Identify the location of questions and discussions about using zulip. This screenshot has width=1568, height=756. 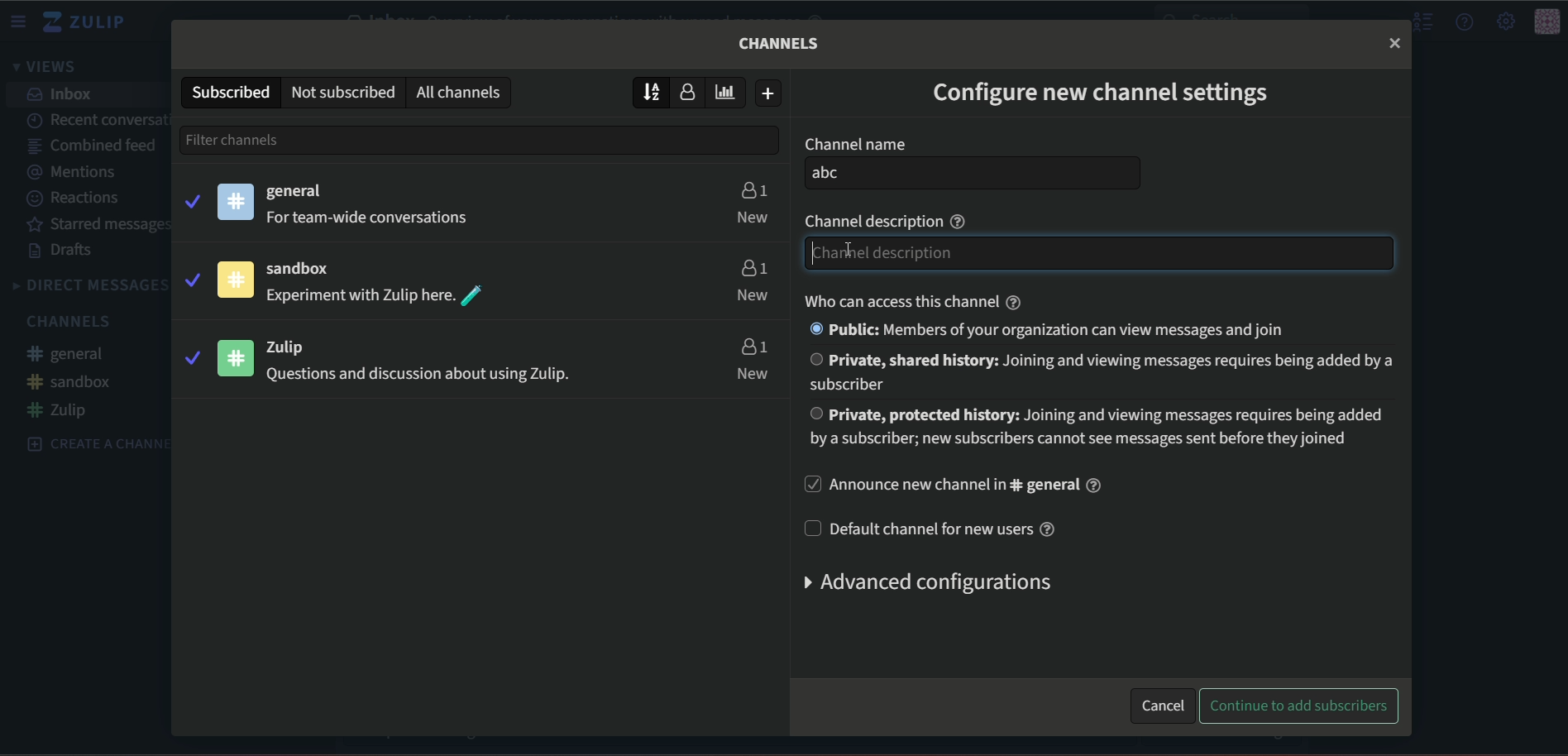
(414, 376).